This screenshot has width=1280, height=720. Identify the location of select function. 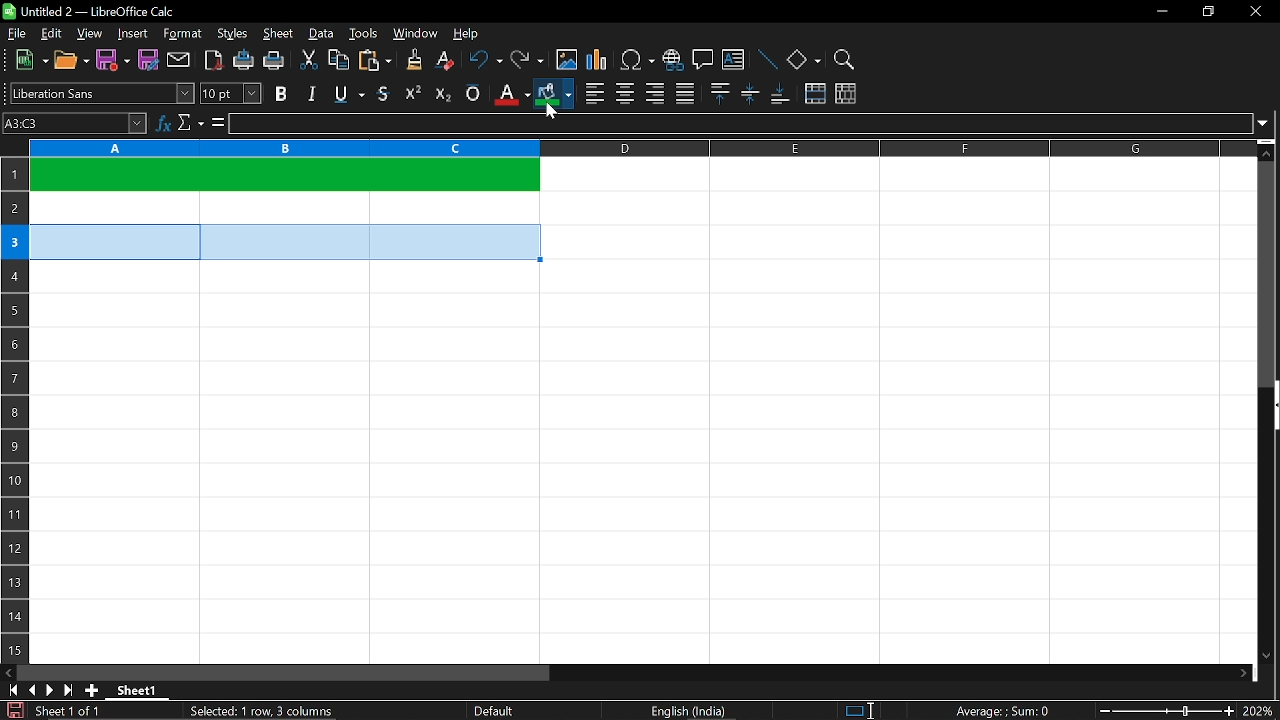
(190, 124).